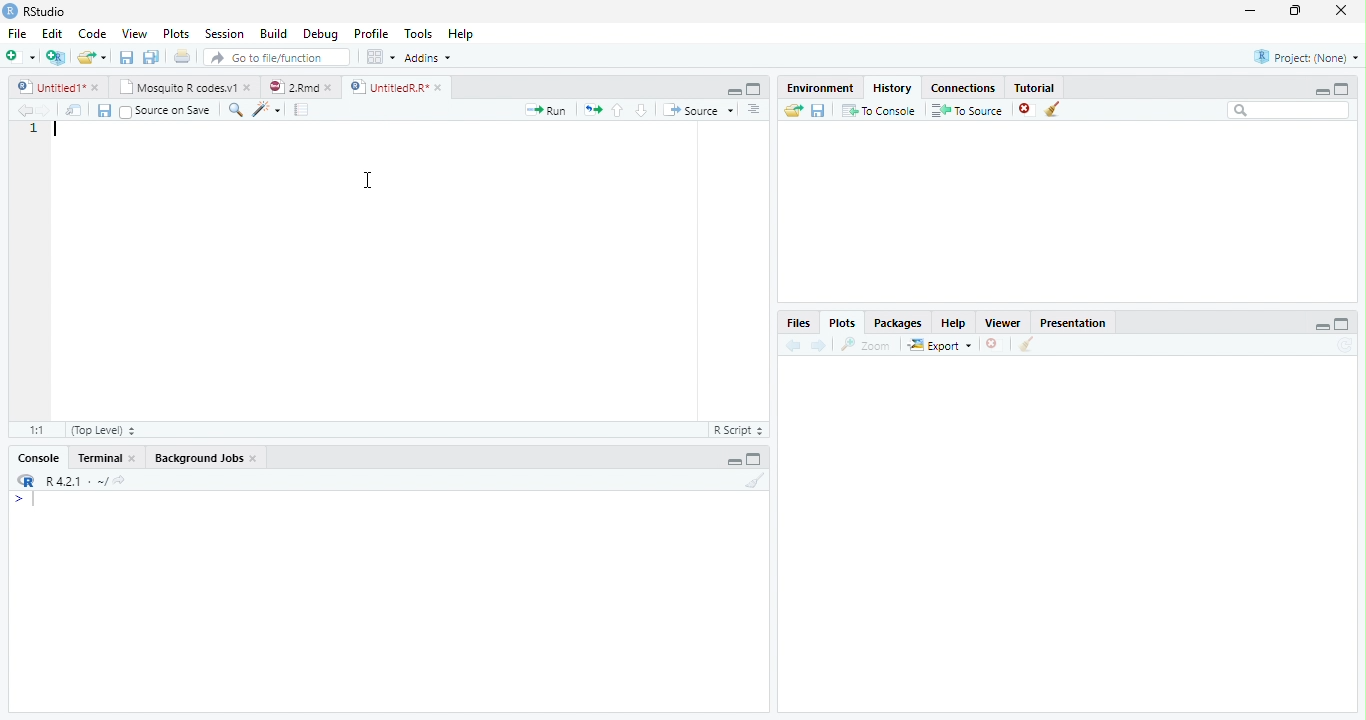 The image size is (1366, 720). Describe the element at coordinates (953, 325) in the screenshot. I see `Help` at that location.